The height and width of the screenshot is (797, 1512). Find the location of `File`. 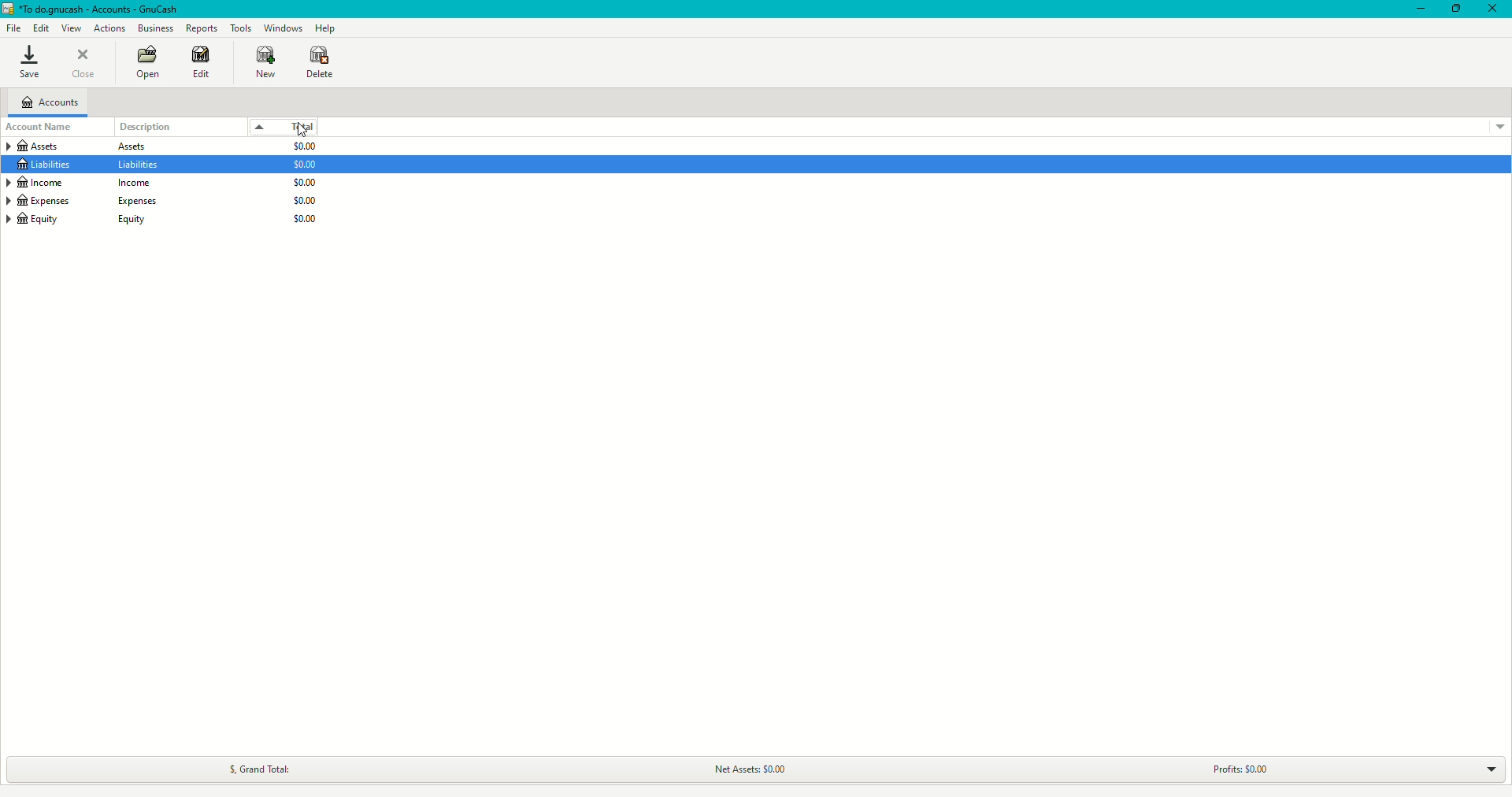

File is located at coordinates (11, 26).